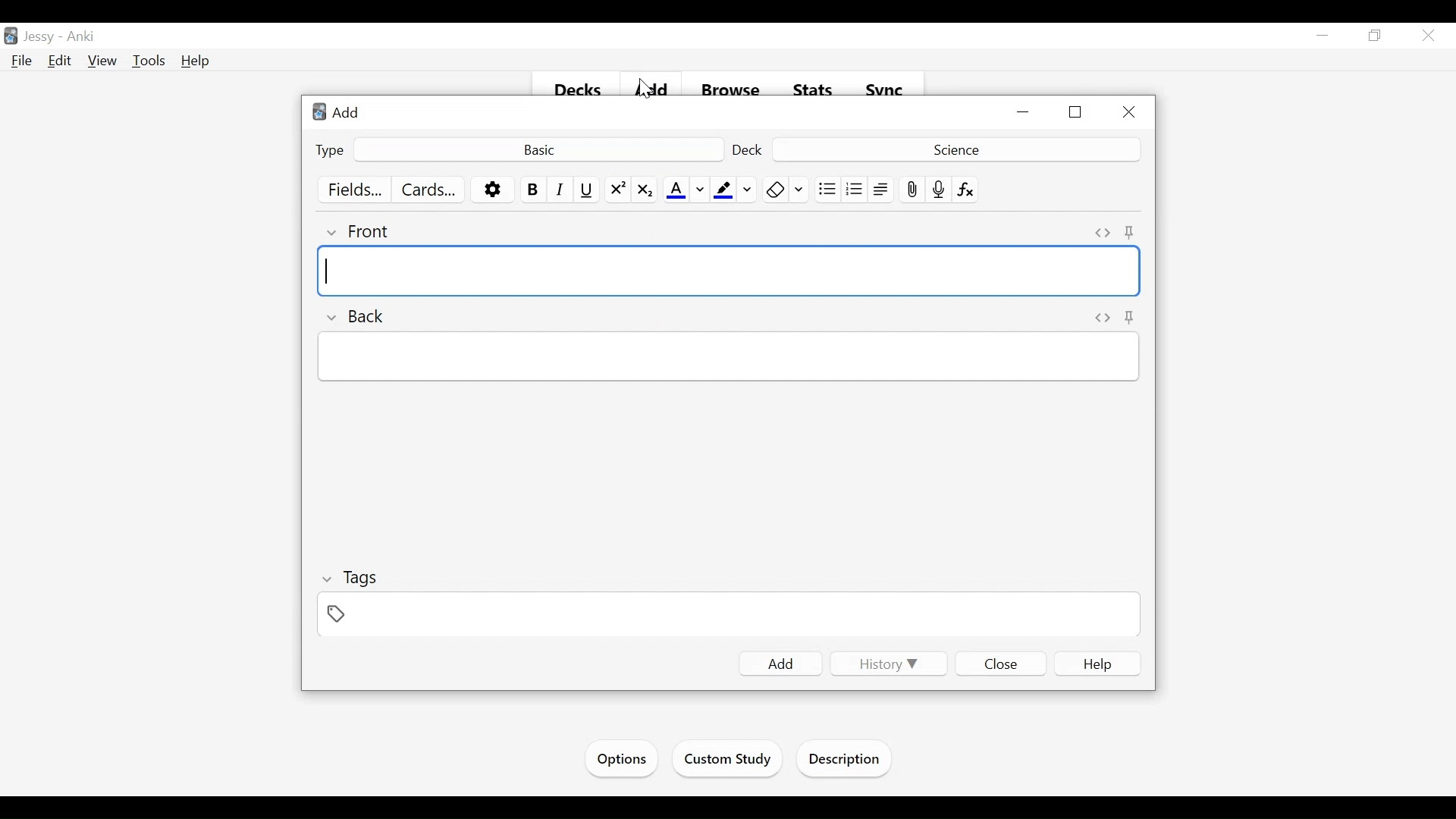  I want to click on Options, so click(620, 759).